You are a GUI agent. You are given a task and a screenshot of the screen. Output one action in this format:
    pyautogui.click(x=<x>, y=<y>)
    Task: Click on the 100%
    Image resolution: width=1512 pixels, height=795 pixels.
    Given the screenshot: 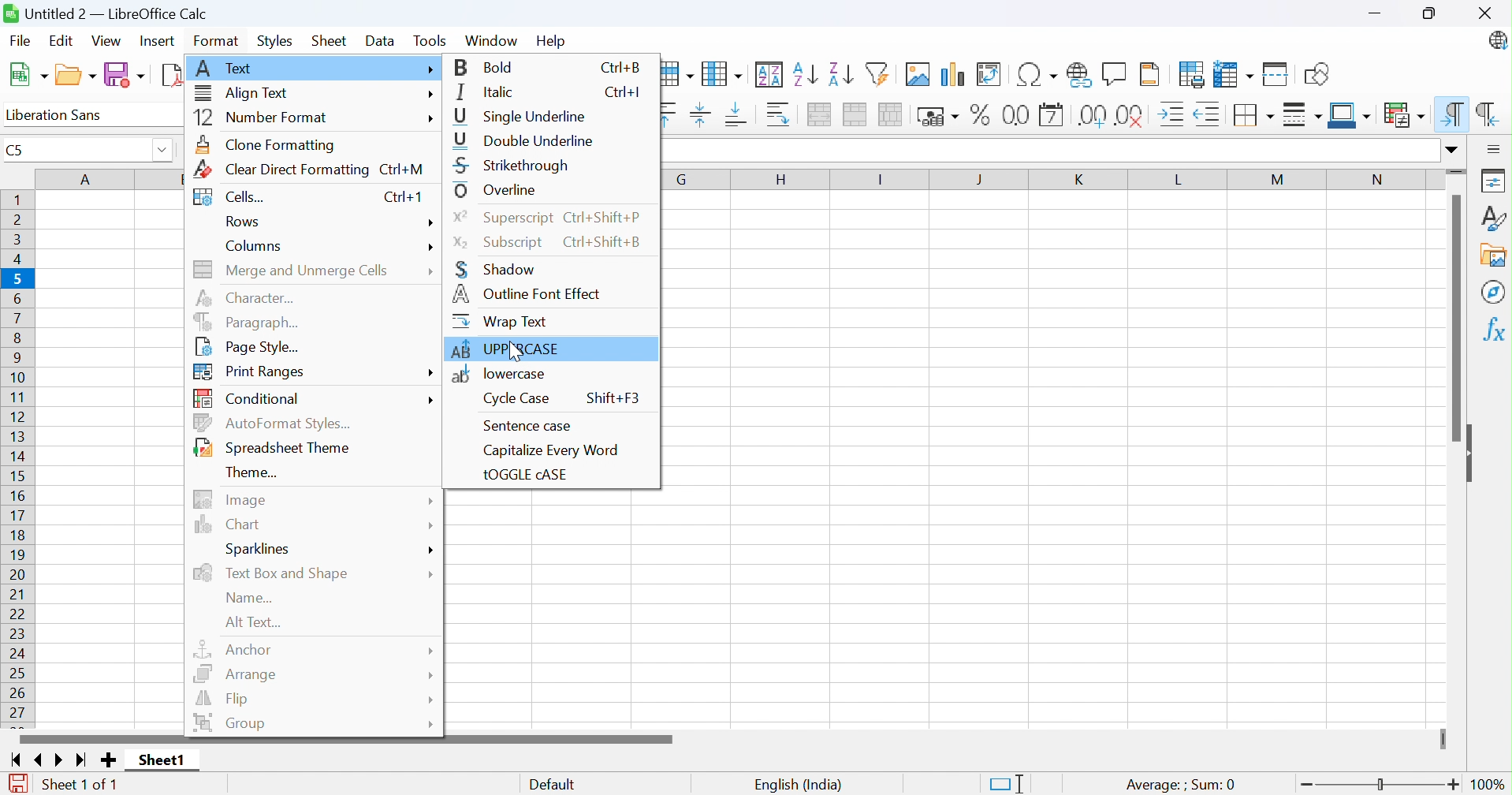 What is the action you would take?
    pyautogui.click(x=1489, y=786)
    